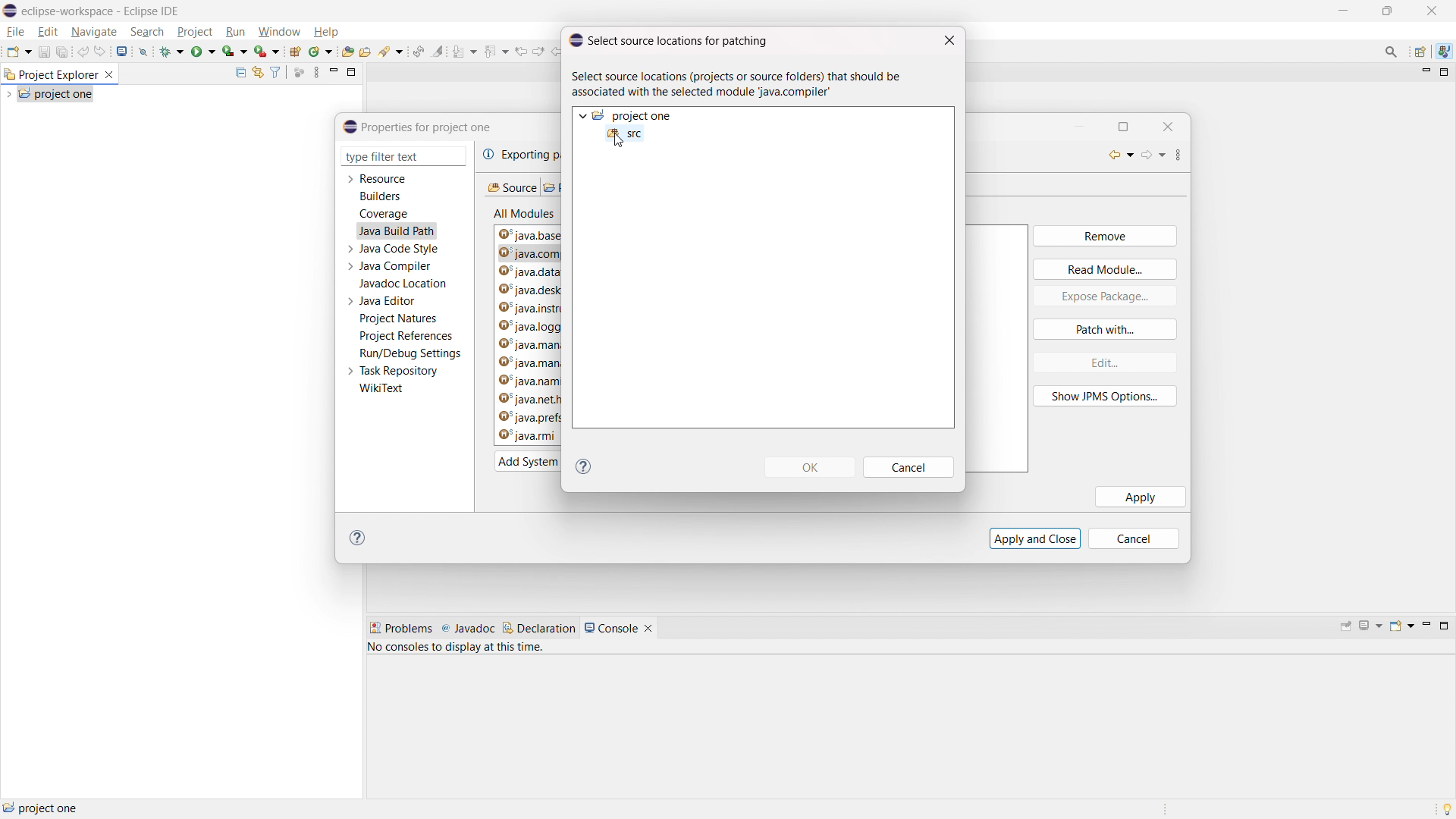 The image size is (1456, 819). Describe the element at coordinates (235, 51) in the screenshot. I see `coverage` at that location.